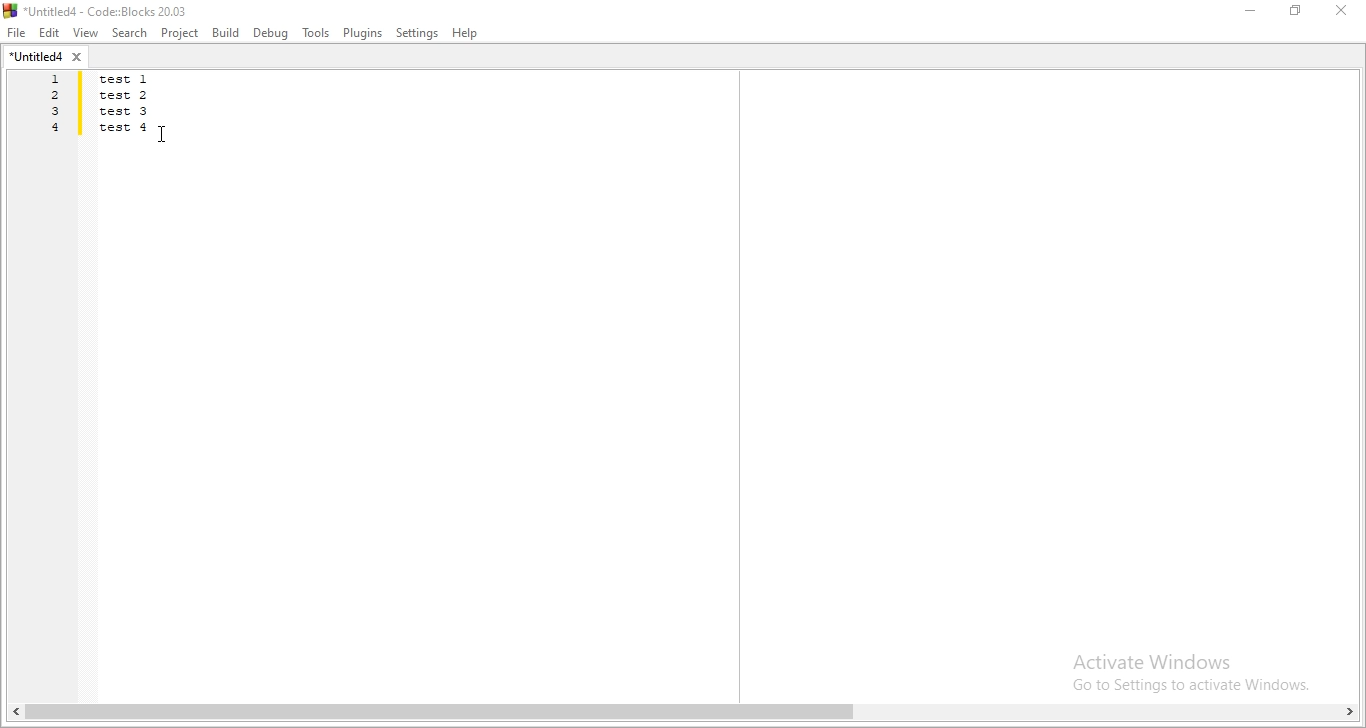 Image resolution: width=1366 pixels, height=728 pixels. Describe the element at coordinates (127, 113) in the screenshot. I see ` test 3` at that location.